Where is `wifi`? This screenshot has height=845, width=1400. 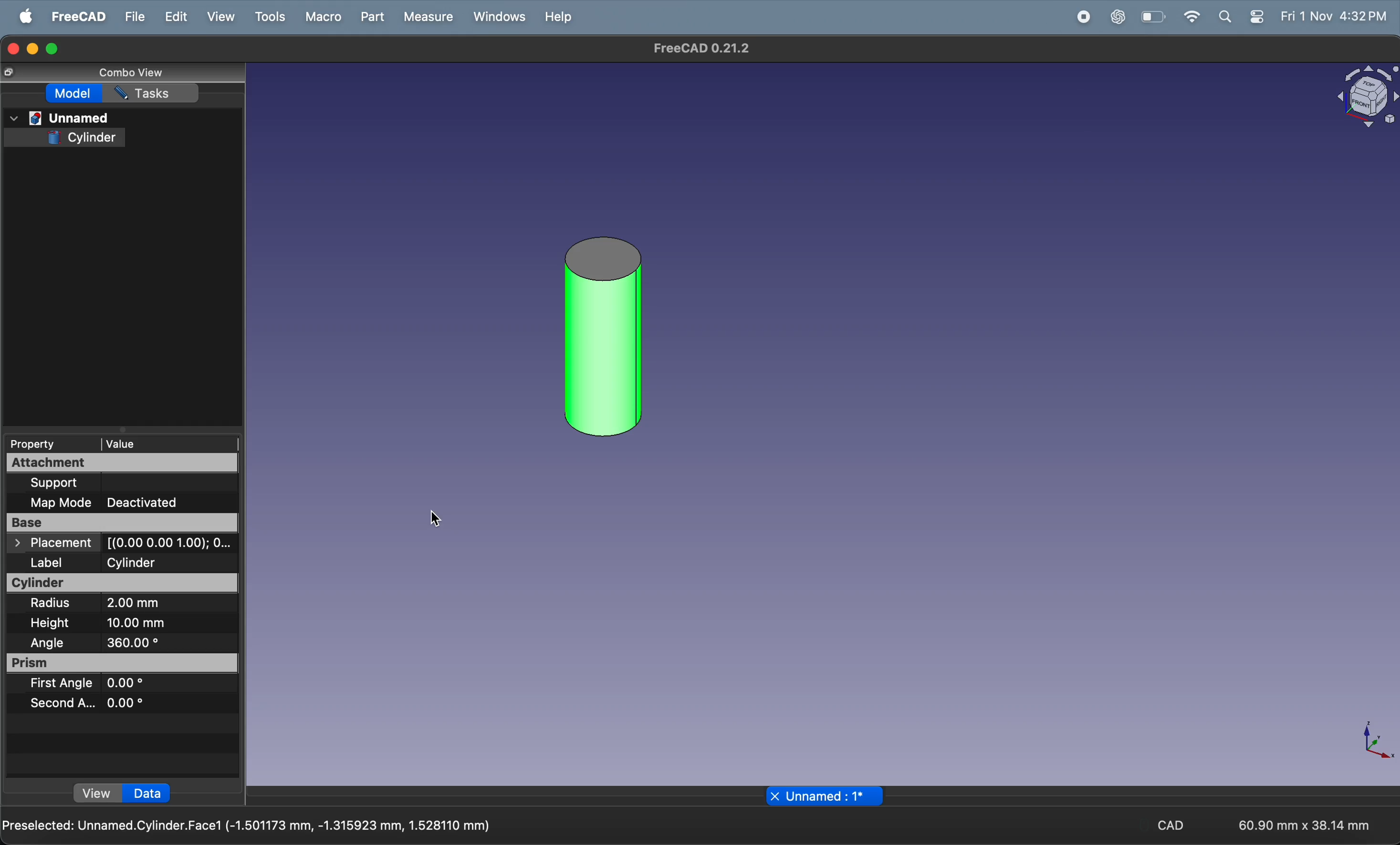 wifi is located at coordinates (1191, 16).